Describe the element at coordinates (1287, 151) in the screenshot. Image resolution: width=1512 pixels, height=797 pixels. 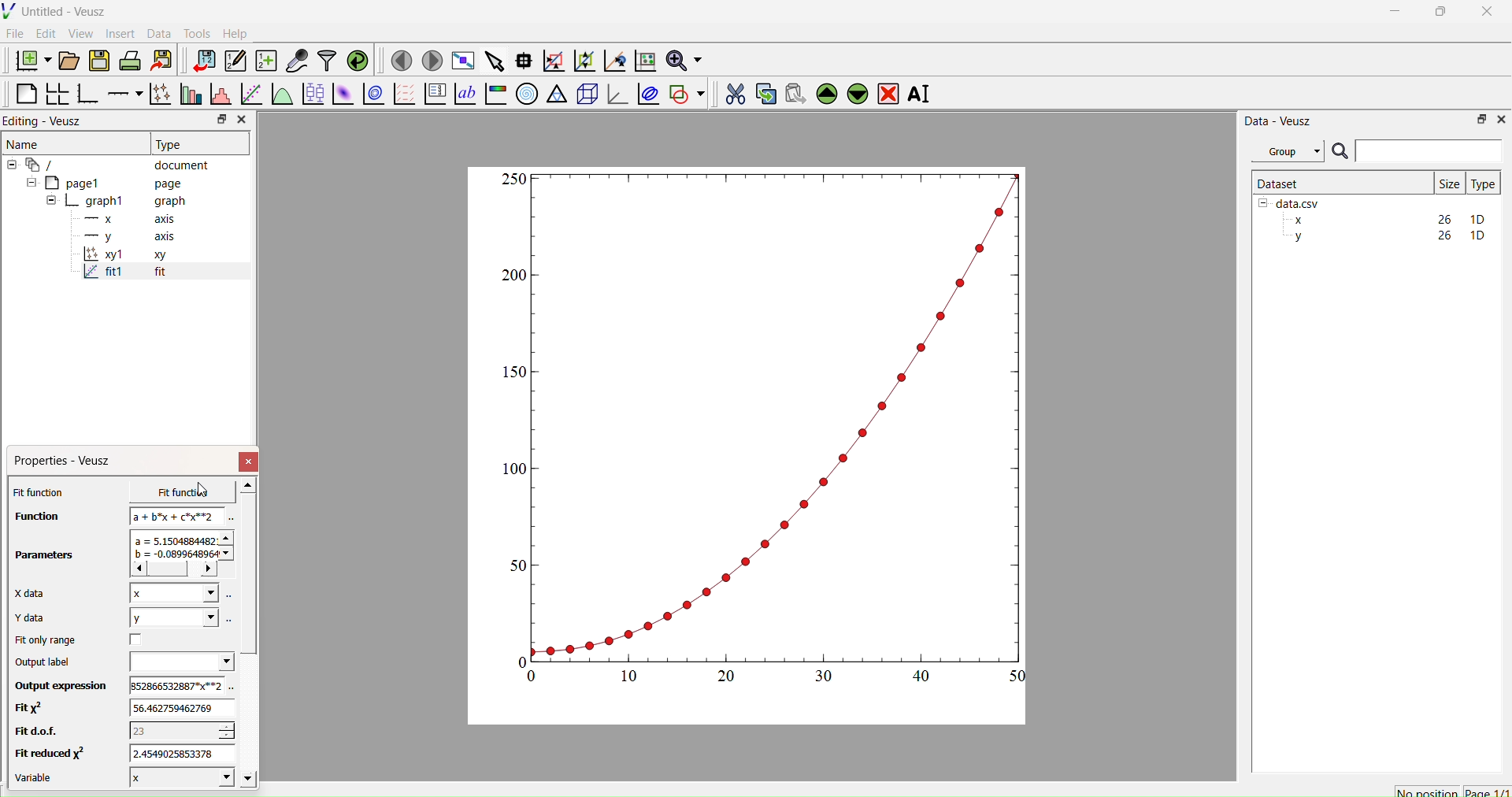
I see `Group ` at that location.